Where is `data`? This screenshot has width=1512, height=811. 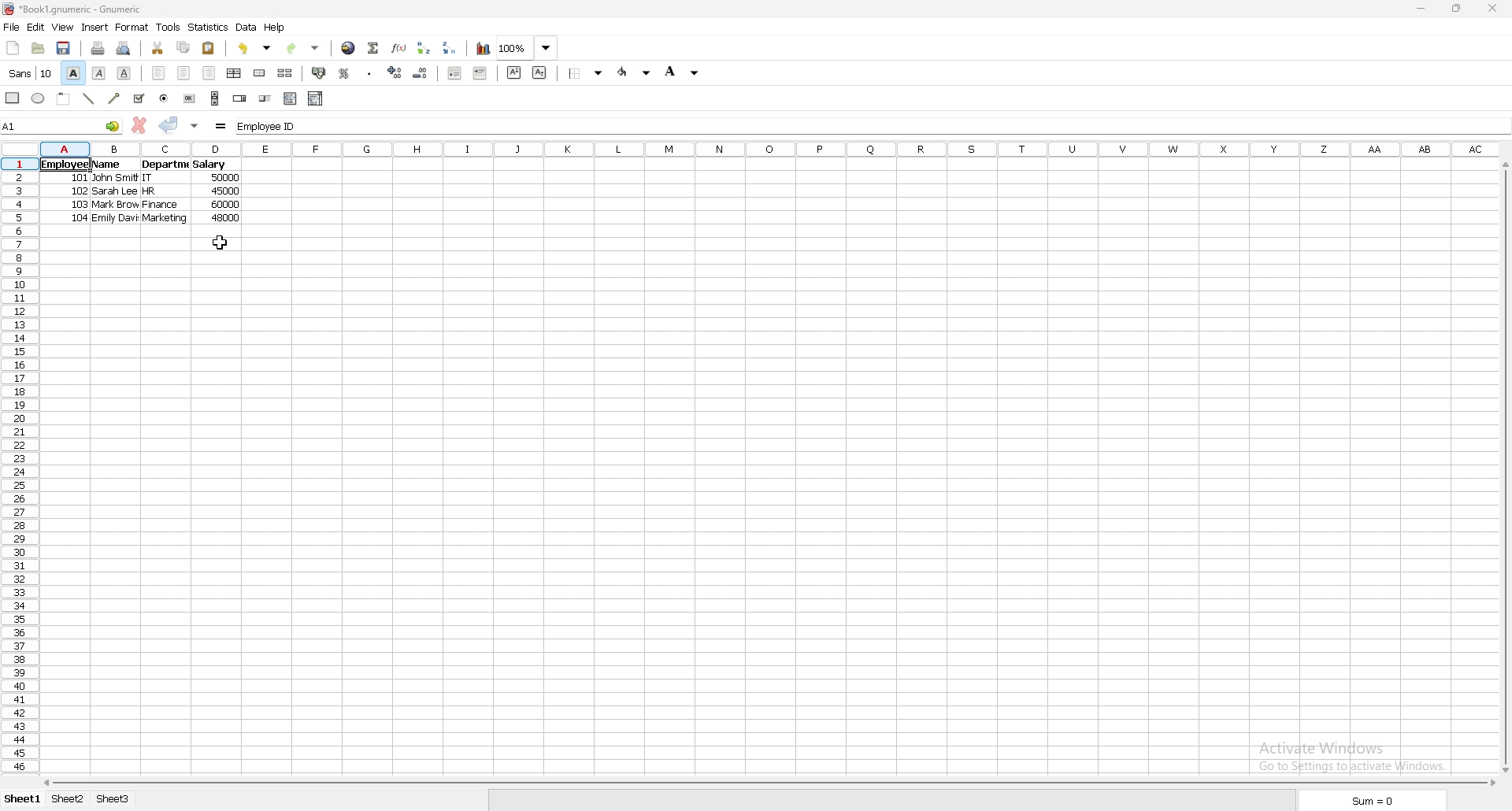 data is located at coordinates (246, 28).